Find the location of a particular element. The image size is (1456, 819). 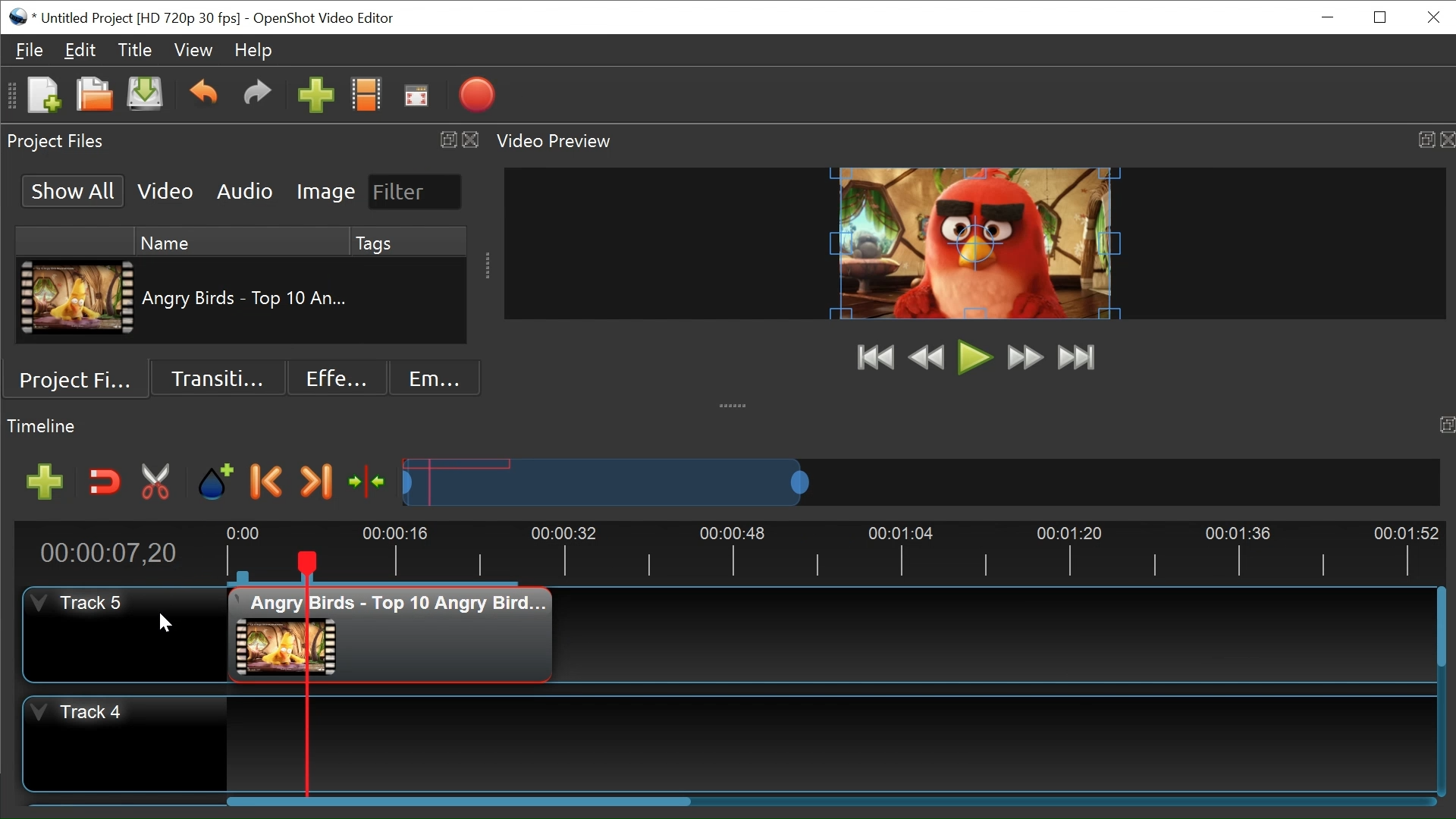

Preview is located at coordinates (927, 357).